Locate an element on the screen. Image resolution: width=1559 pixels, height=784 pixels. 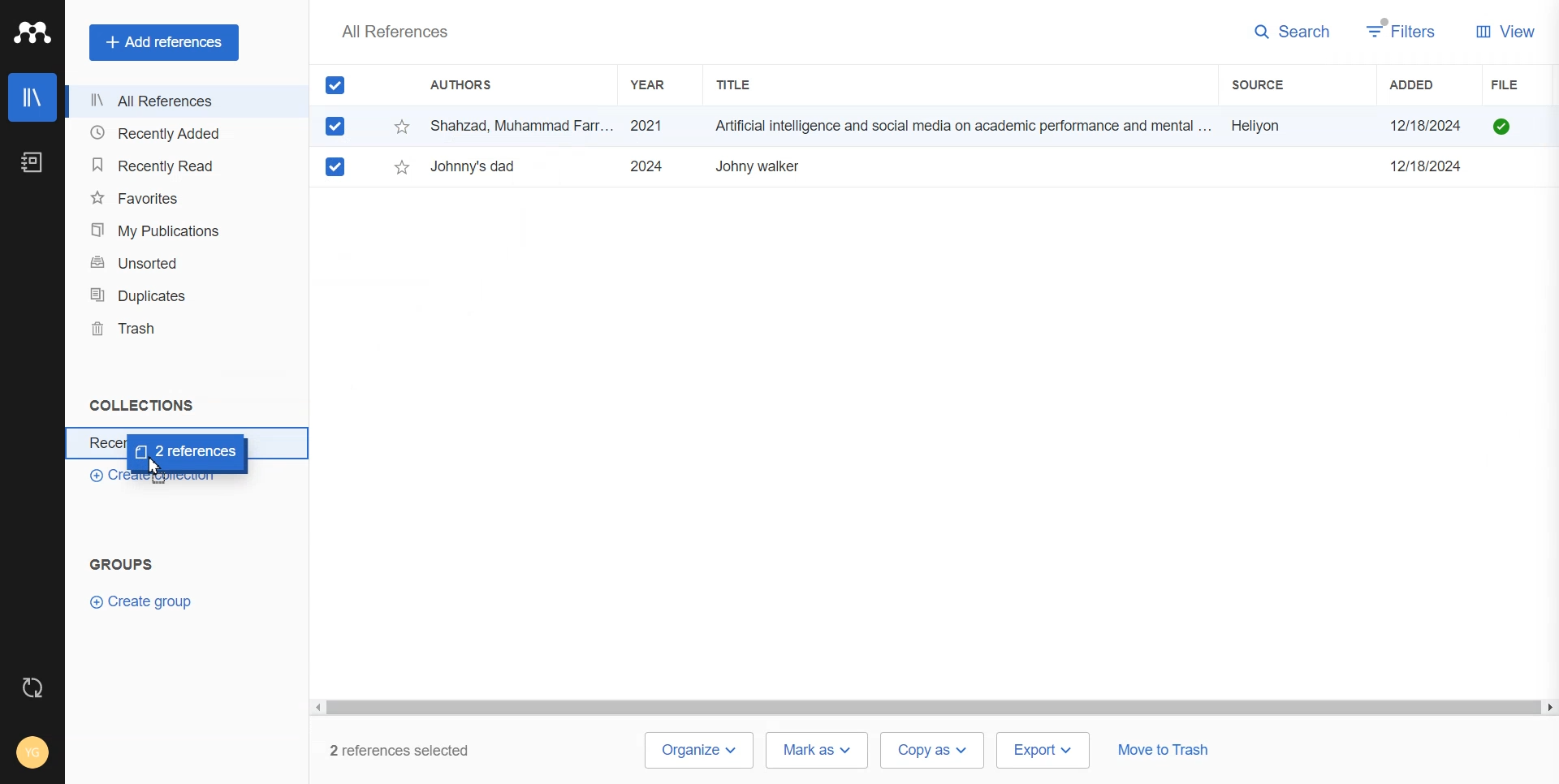
Favorites is located at coordinates (182, 196).